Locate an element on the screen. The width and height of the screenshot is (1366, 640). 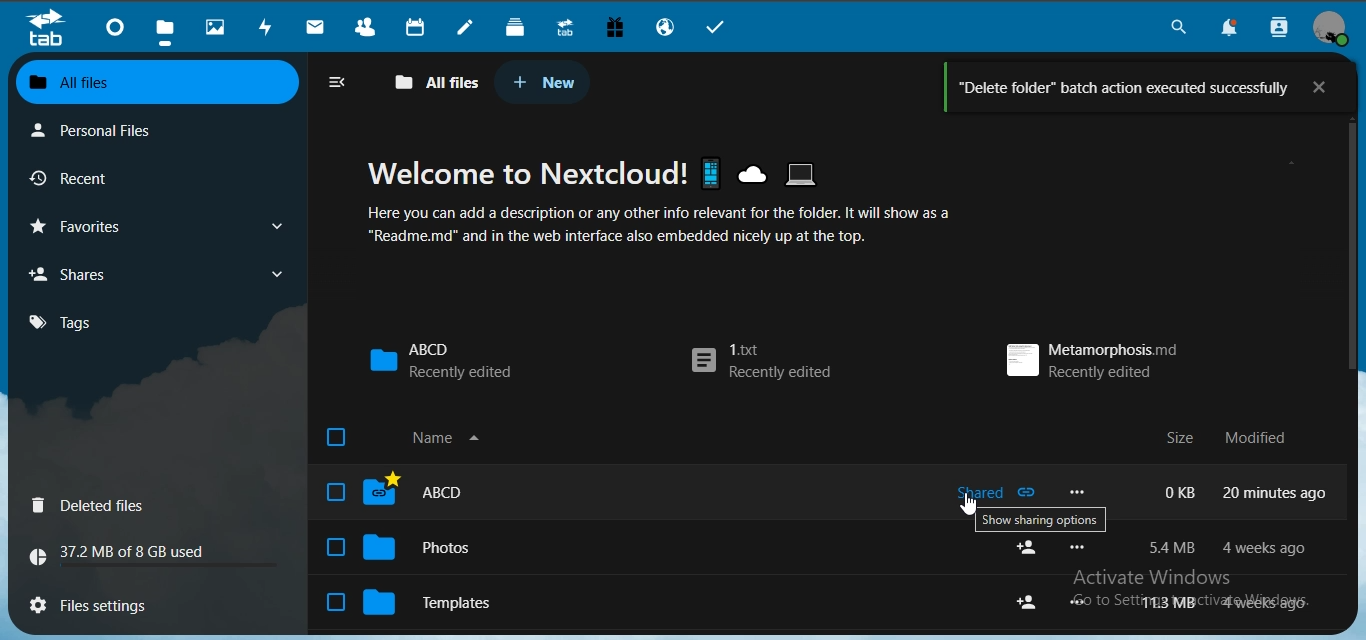
photos is located at coordinates (215, 25).